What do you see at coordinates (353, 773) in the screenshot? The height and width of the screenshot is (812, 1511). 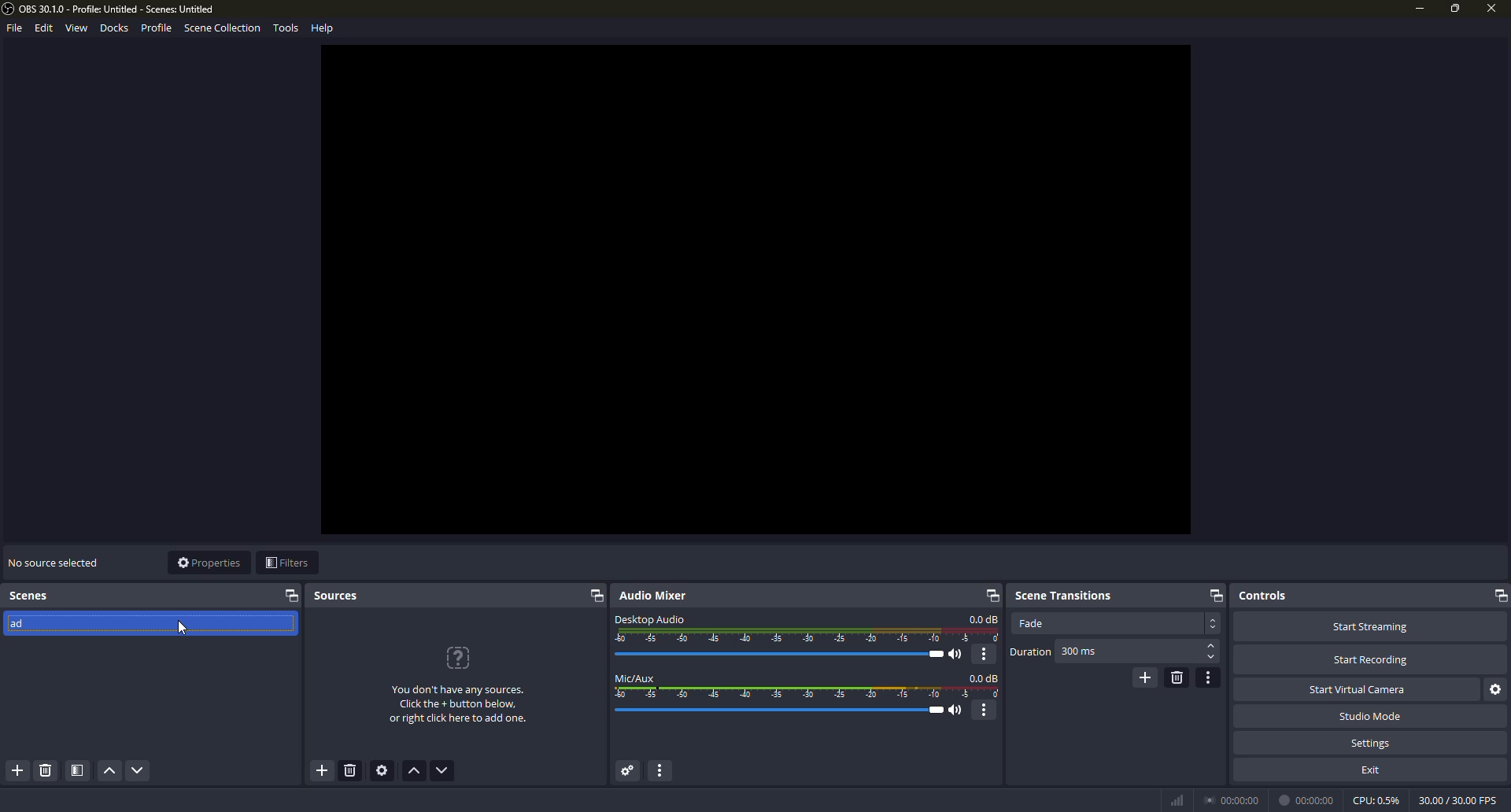 I see `remove selected source` at bounding box center [353, 773].